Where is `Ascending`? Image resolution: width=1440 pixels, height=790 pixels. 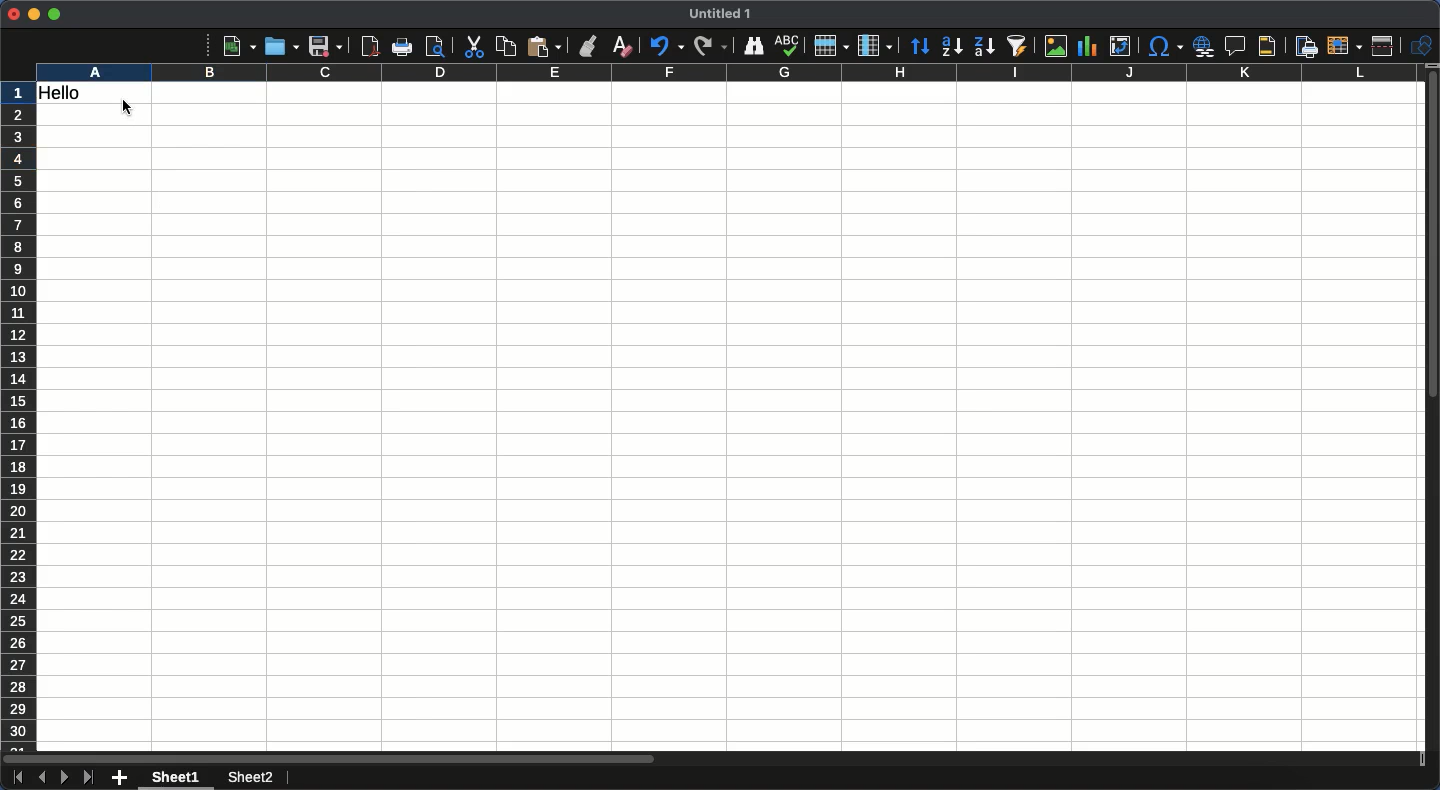 Ascending is located at coordinates (951, 45).